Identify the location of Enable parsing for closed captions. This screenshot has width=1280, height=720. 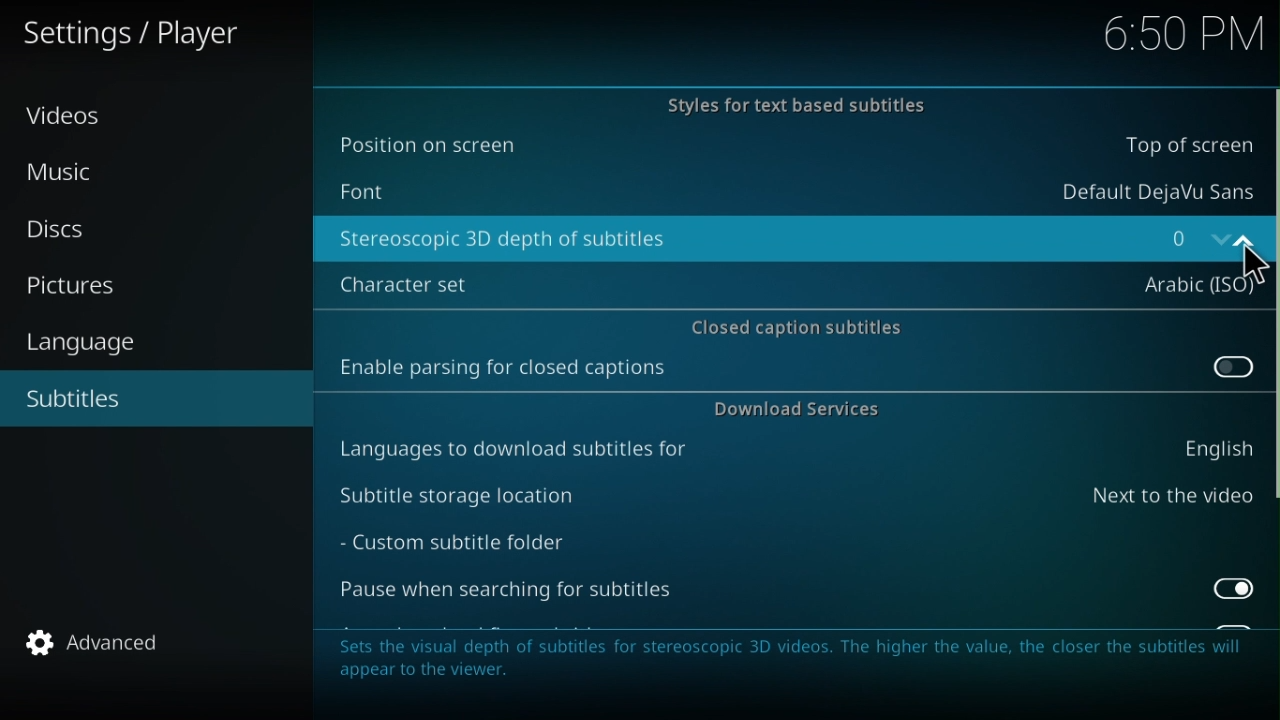
(793, 372).